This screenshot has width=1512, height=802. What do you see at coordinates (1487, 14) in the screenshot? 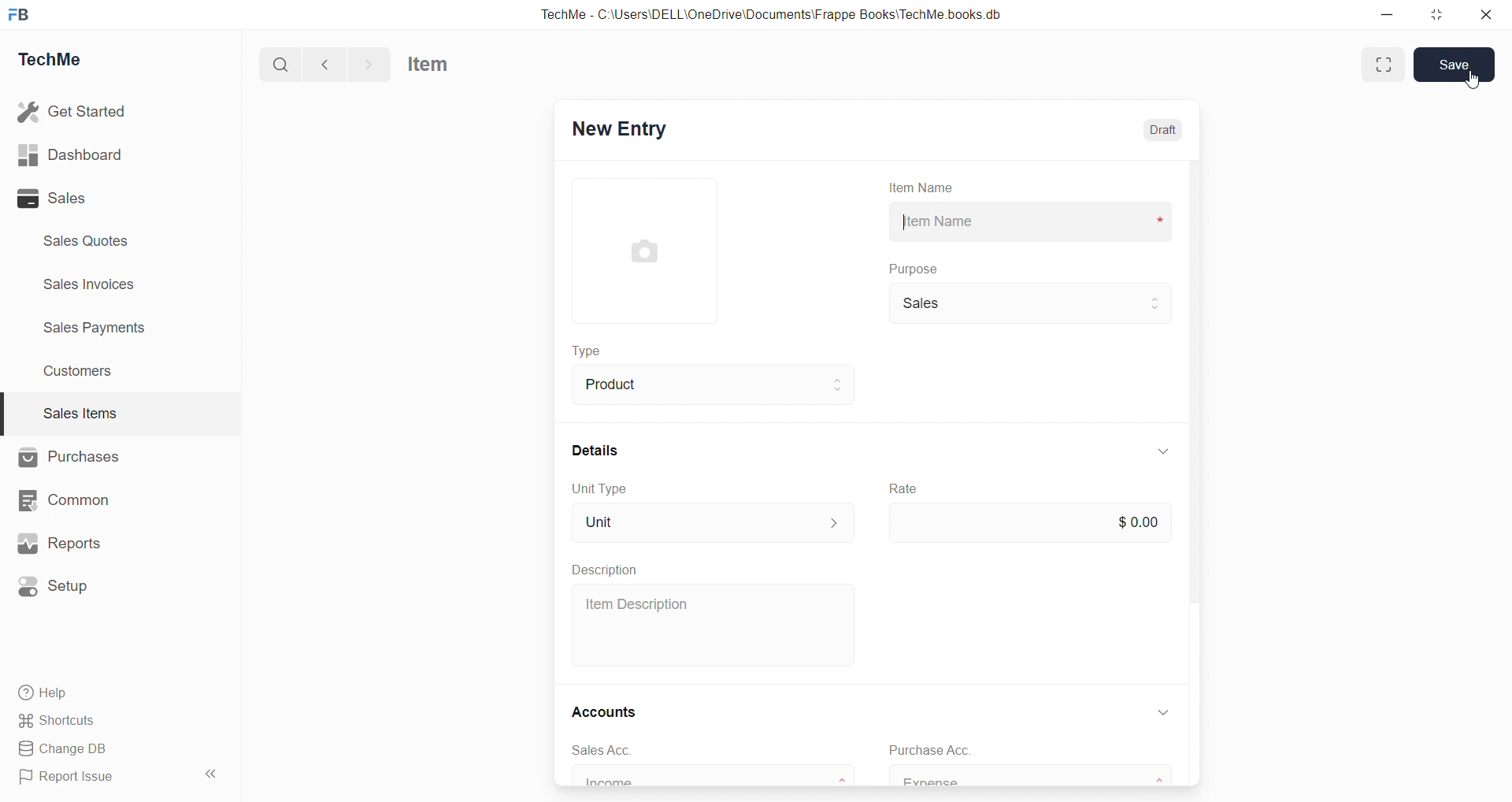
I see `close` at bounding box center [1487, 14].